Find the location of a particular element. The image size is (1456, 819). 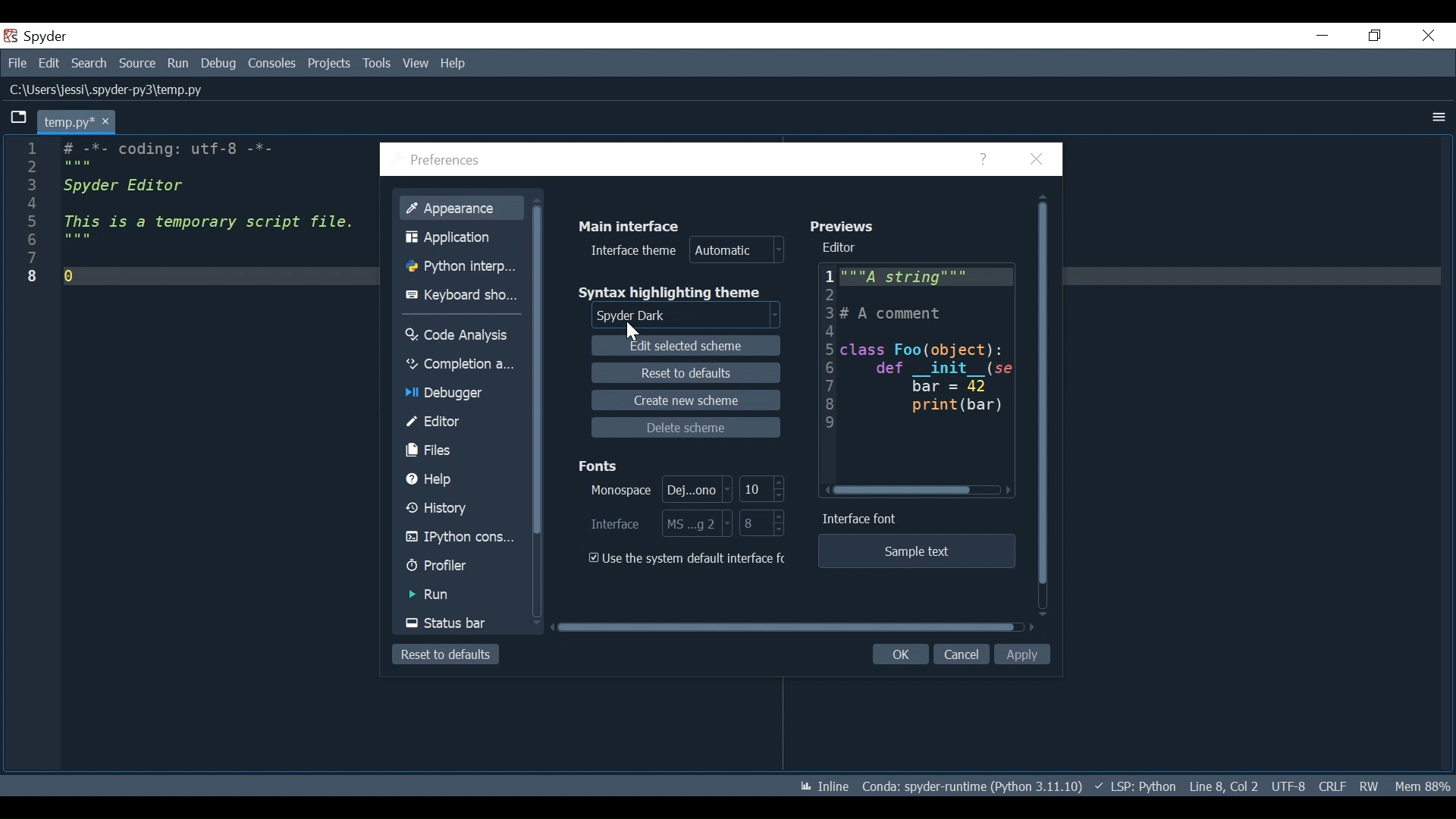

Profiler is located at coordinates (463, 568).